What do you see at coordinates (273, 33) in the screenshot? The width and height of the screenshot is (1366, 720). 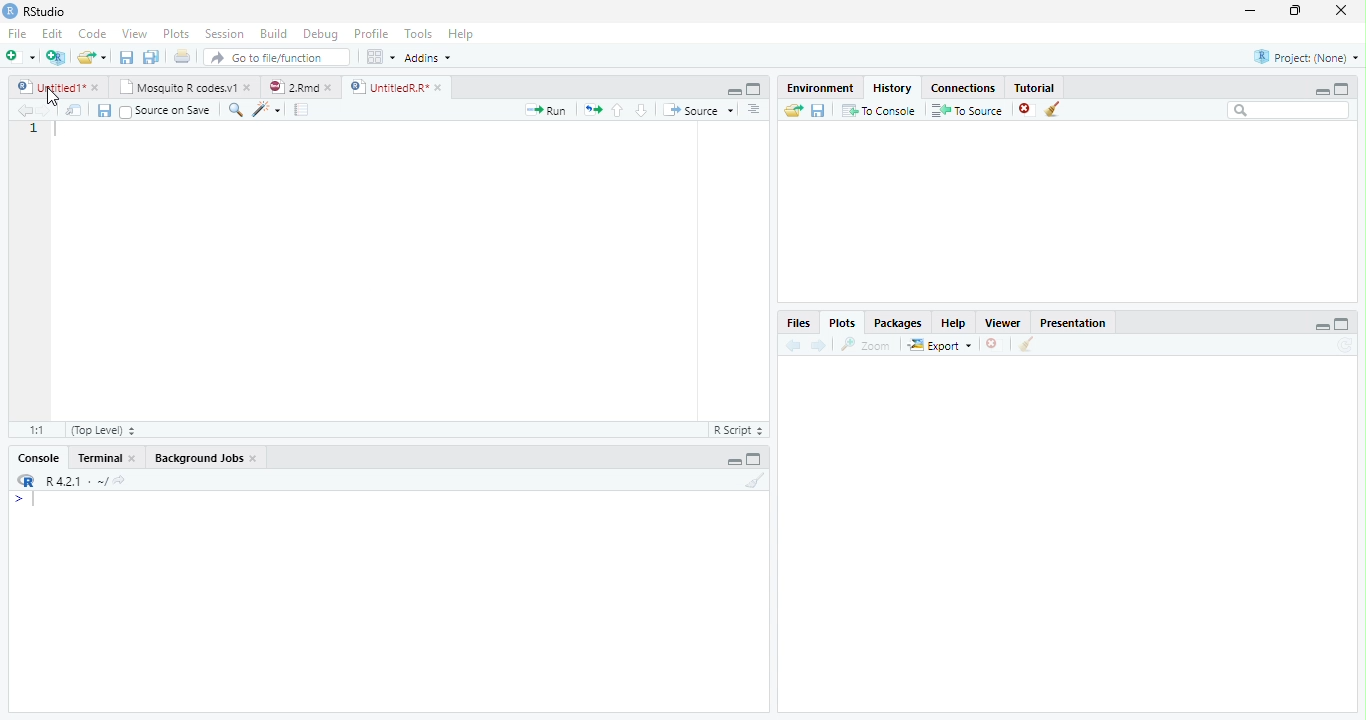 I see `Build` at bounding box center [273, 33].